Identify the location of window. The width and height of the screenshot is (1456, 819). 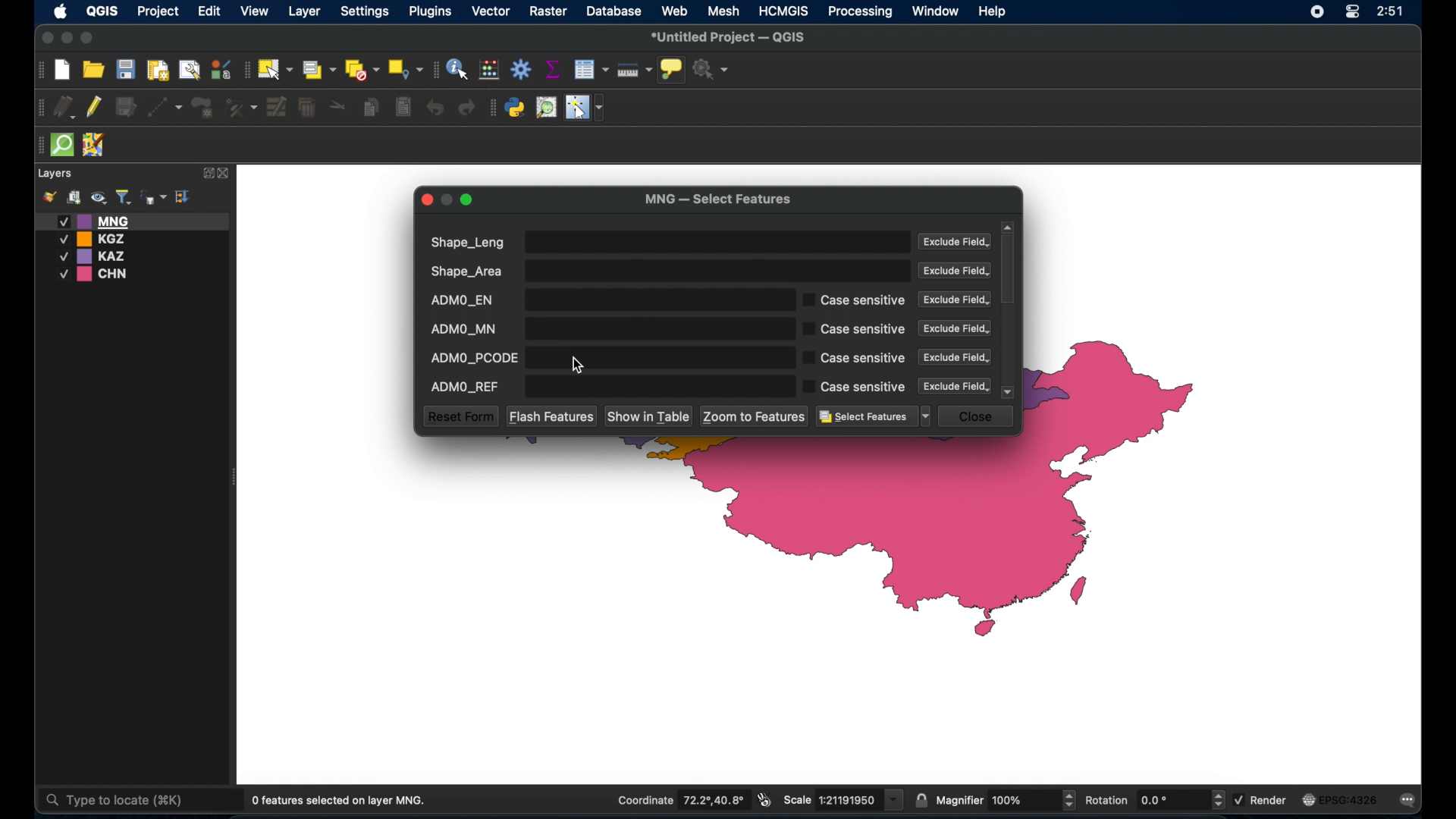
(937, 11).